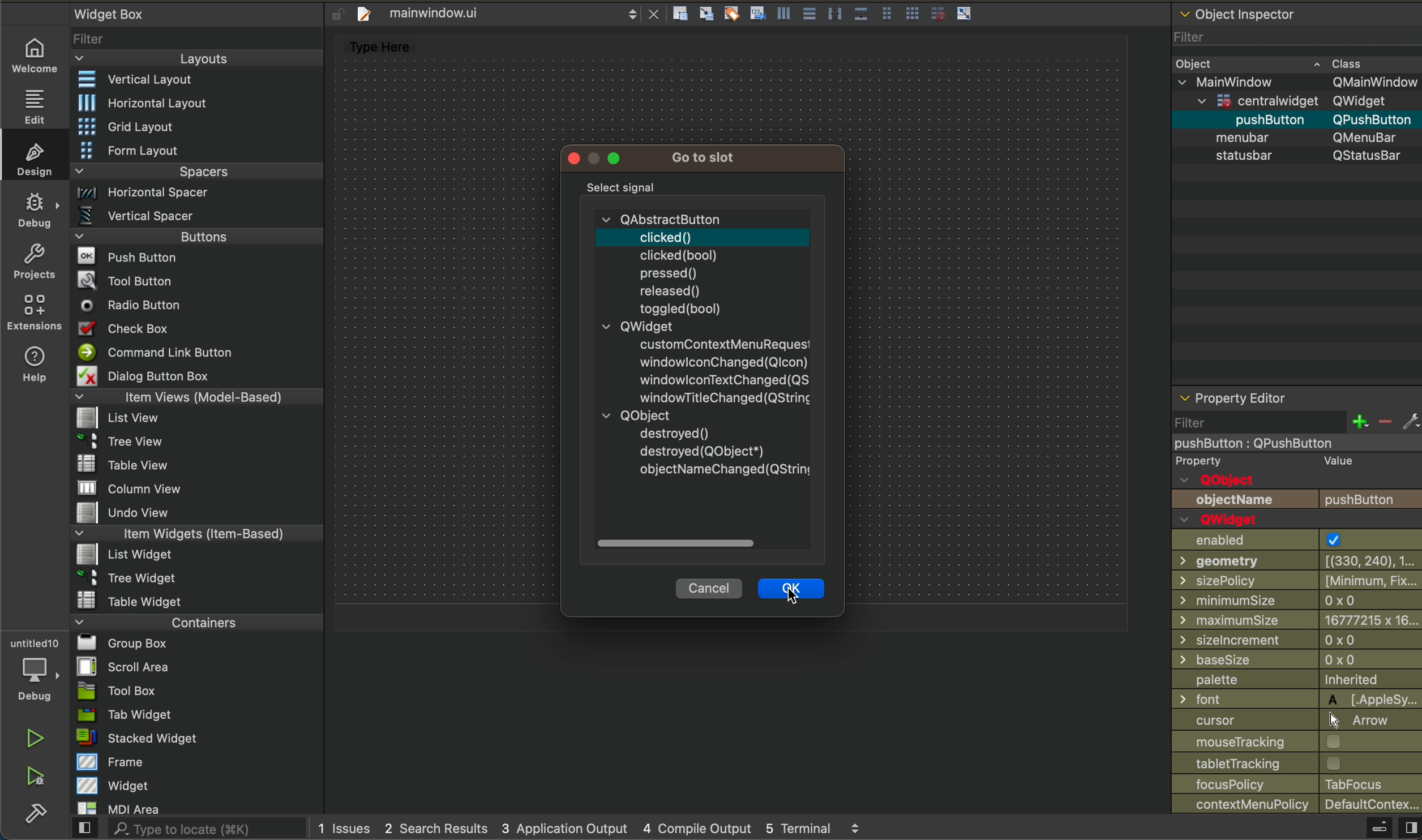  I want to click on cursor, so click(1297, 719).